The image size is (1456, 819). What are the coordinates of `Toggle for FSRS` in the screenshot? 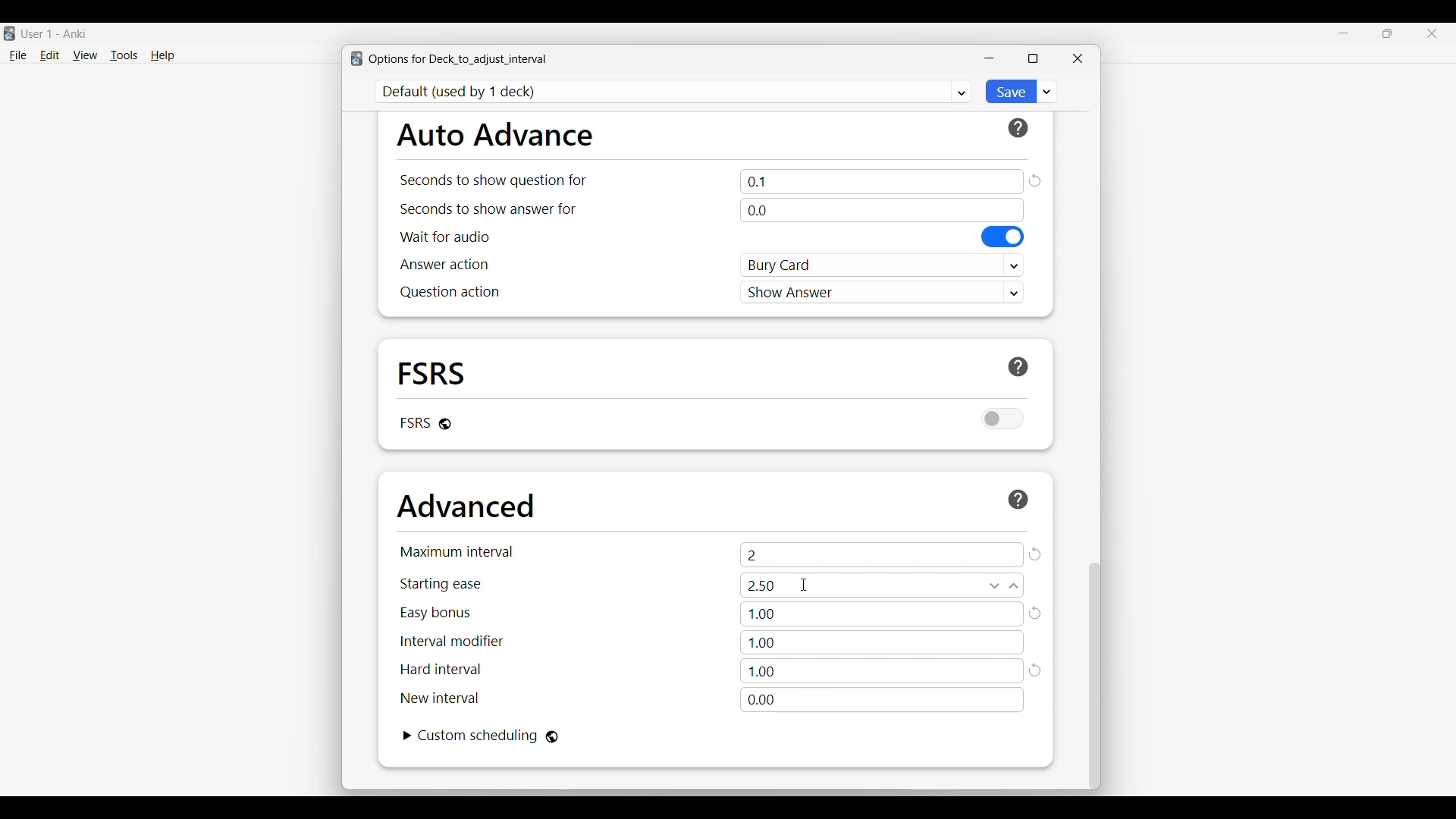 It's located at (1003, 419).